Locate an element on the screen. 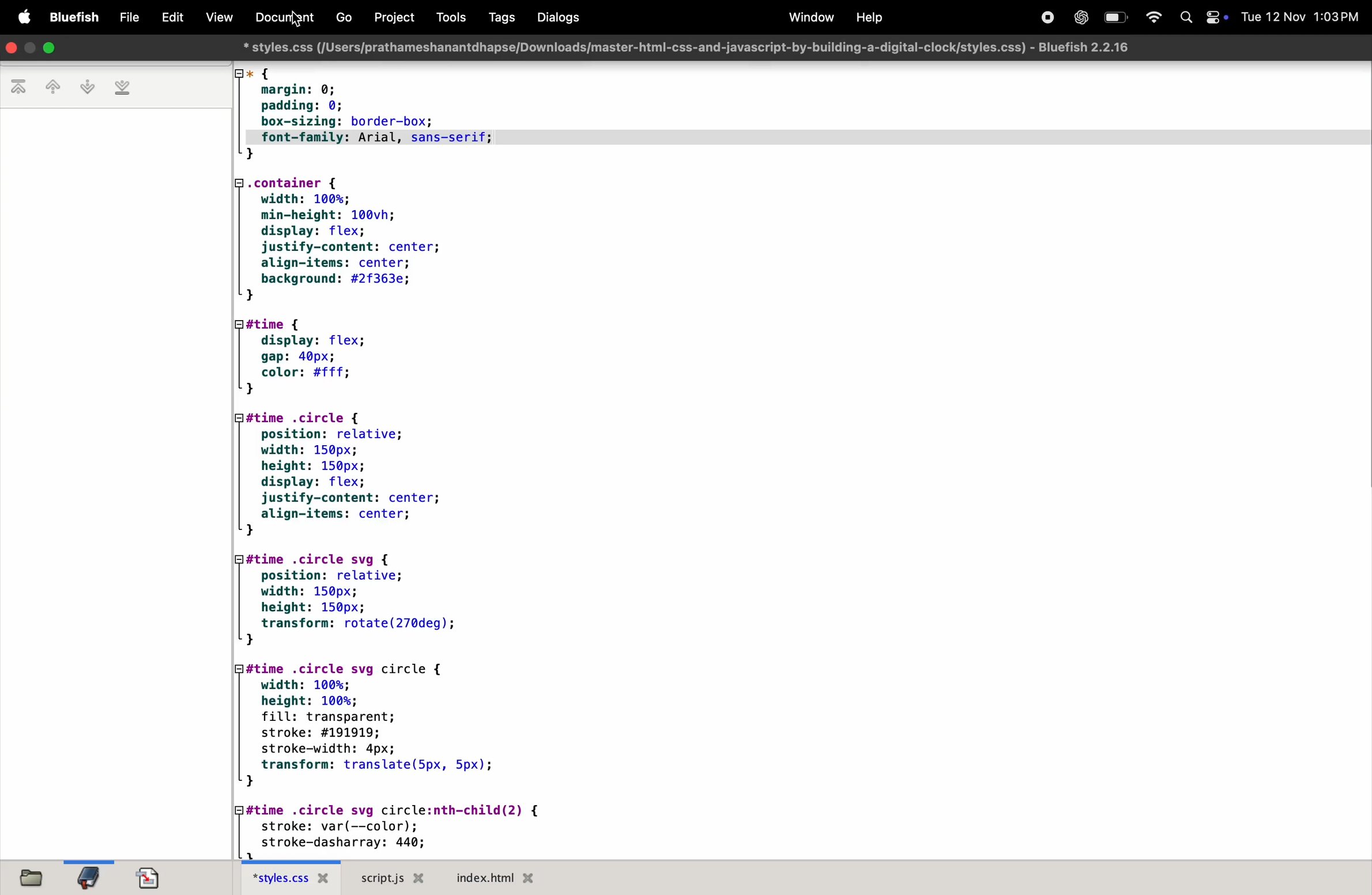 This screenshot has width=1372, height=895. Tools is located at coordinates (448, 17).